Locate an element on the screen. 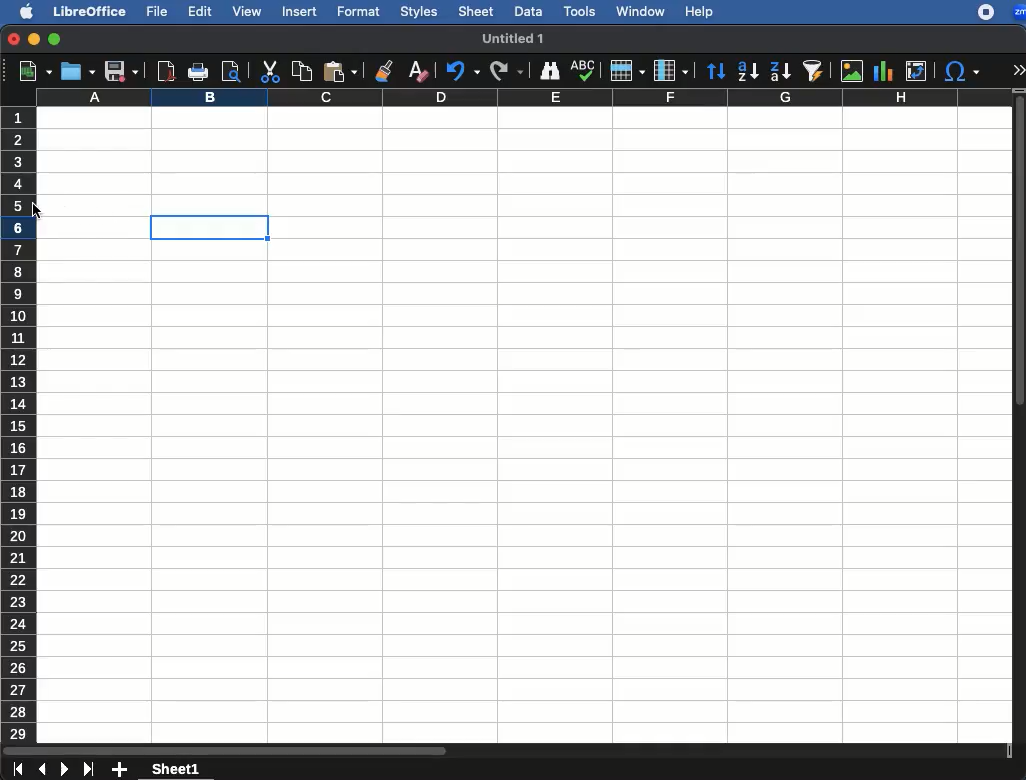 The image size is (1026, 780). finder is located at coordinates (550, 71).